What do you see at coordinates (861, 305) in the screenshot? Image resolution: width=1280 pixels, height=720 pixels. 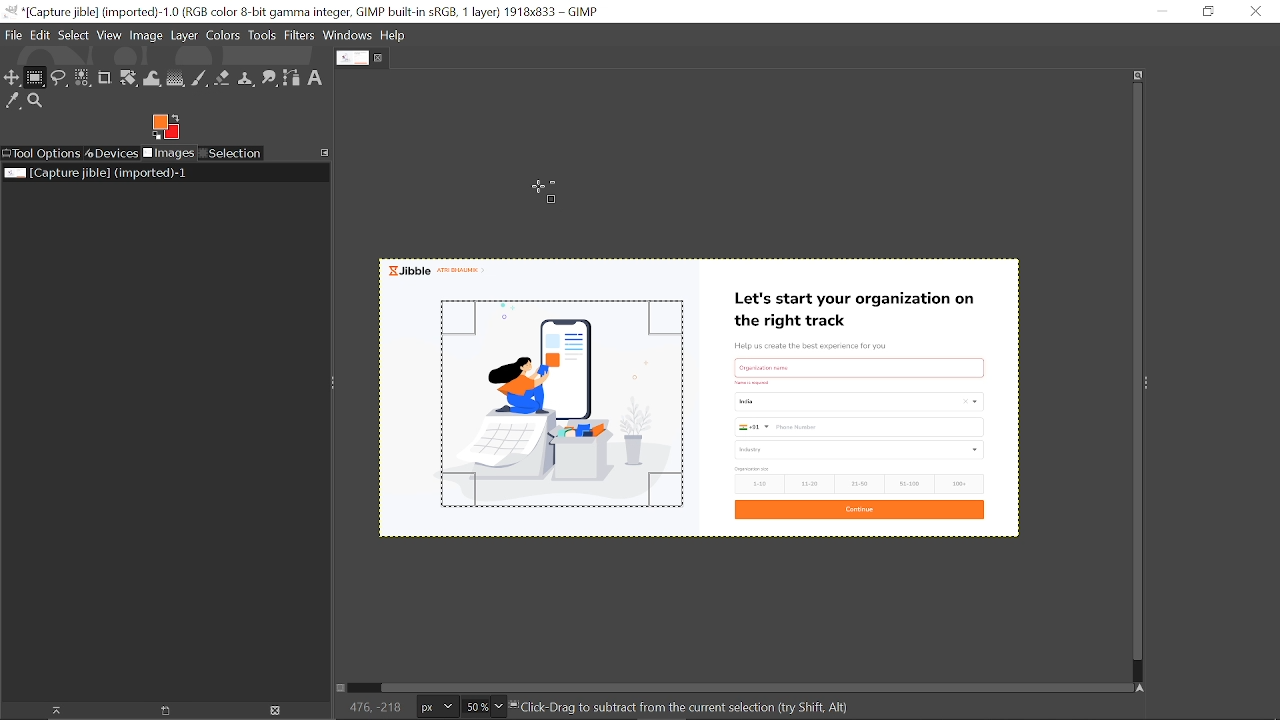 I see `Let's start your organization on
the right track` at bounding box center [861, 305].